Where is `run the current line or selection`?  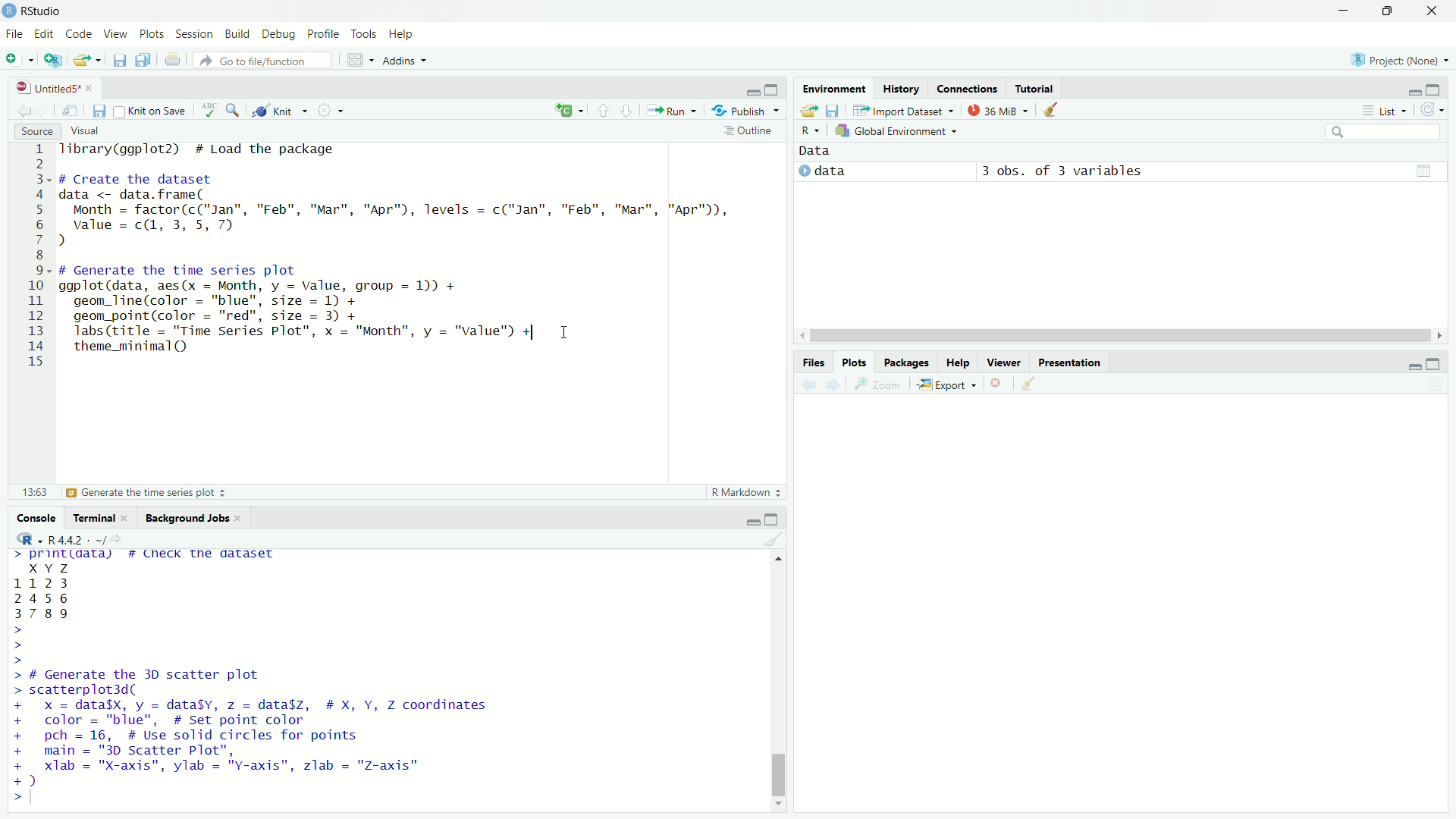
run the current line or selection is located at coordinates (673, 110).